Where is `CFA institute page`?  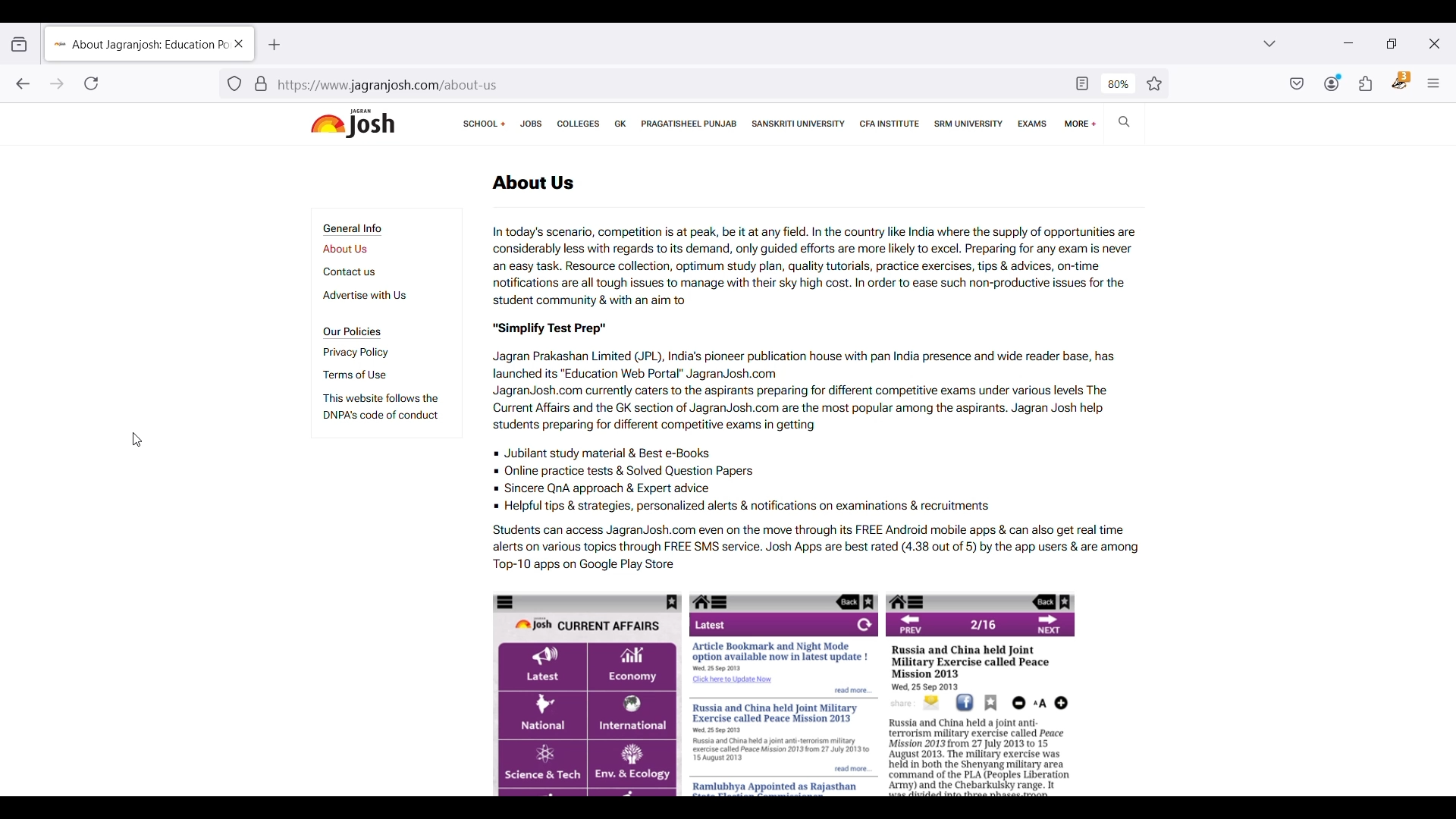
CFA institute page is located at coordinates (890, 124).